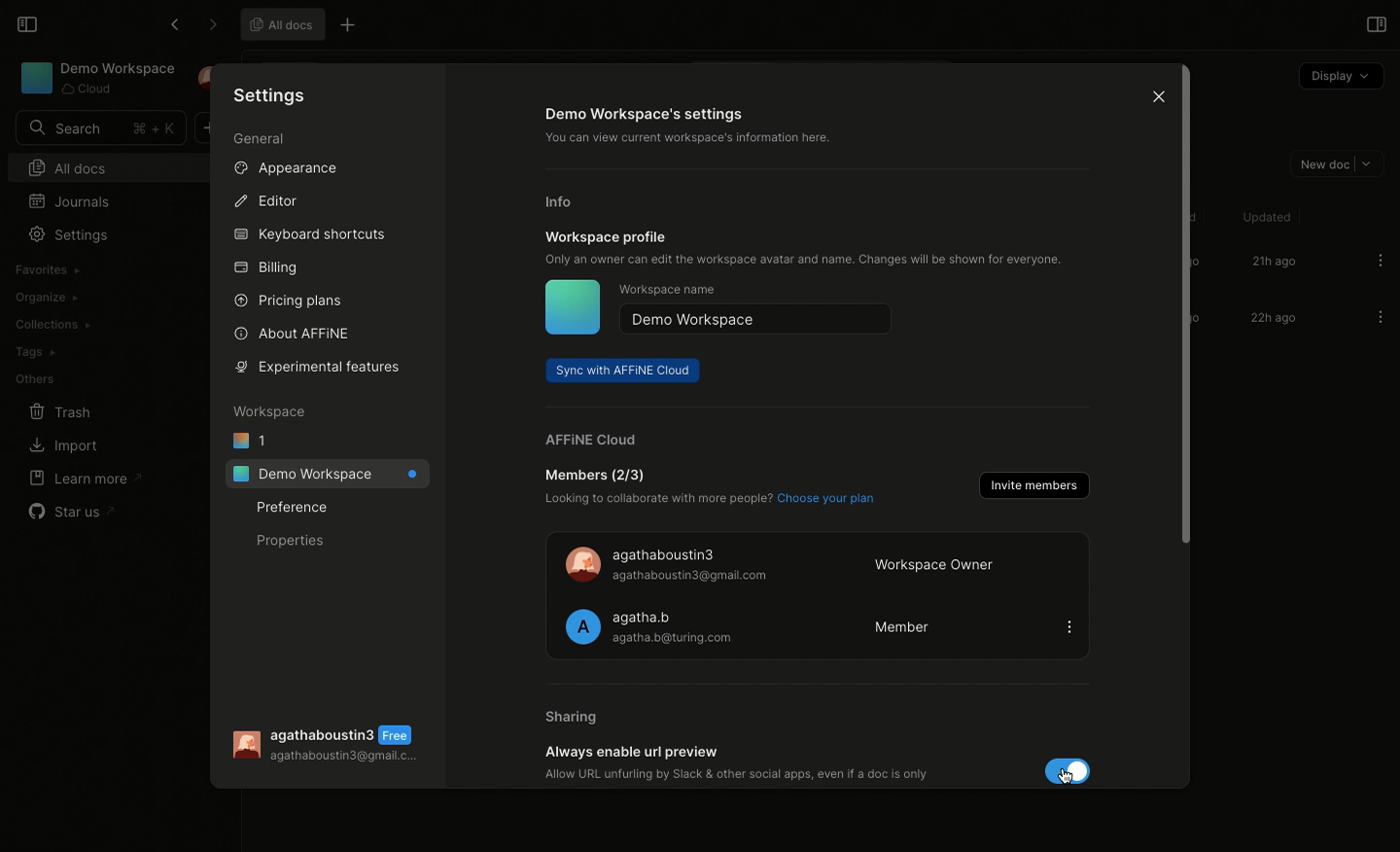  Describe the element at coordinates (1381, 260) in the screenshot. I see `Options` at that location.